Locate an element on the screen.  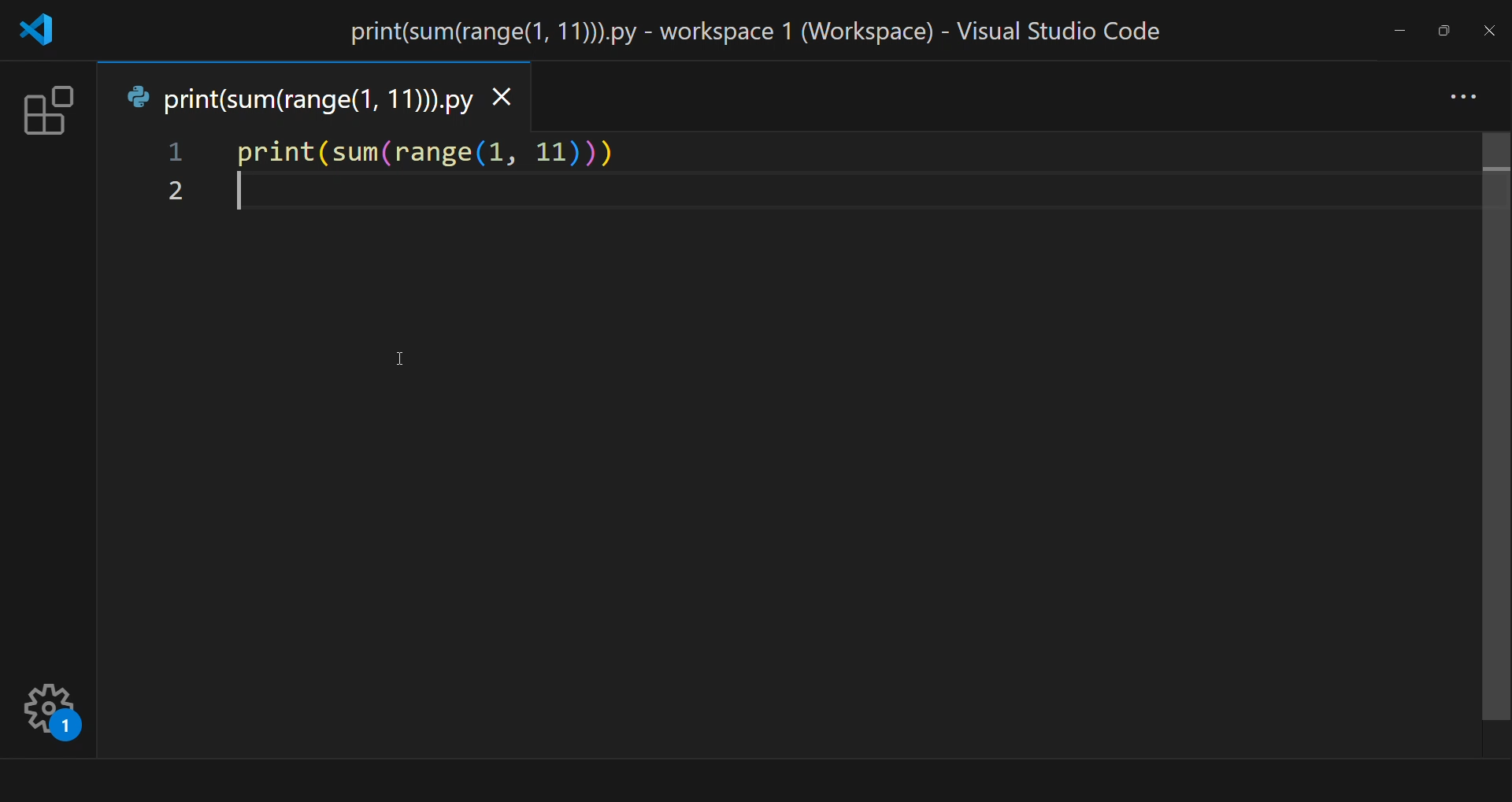
setting is located at coordinates (54, 711).